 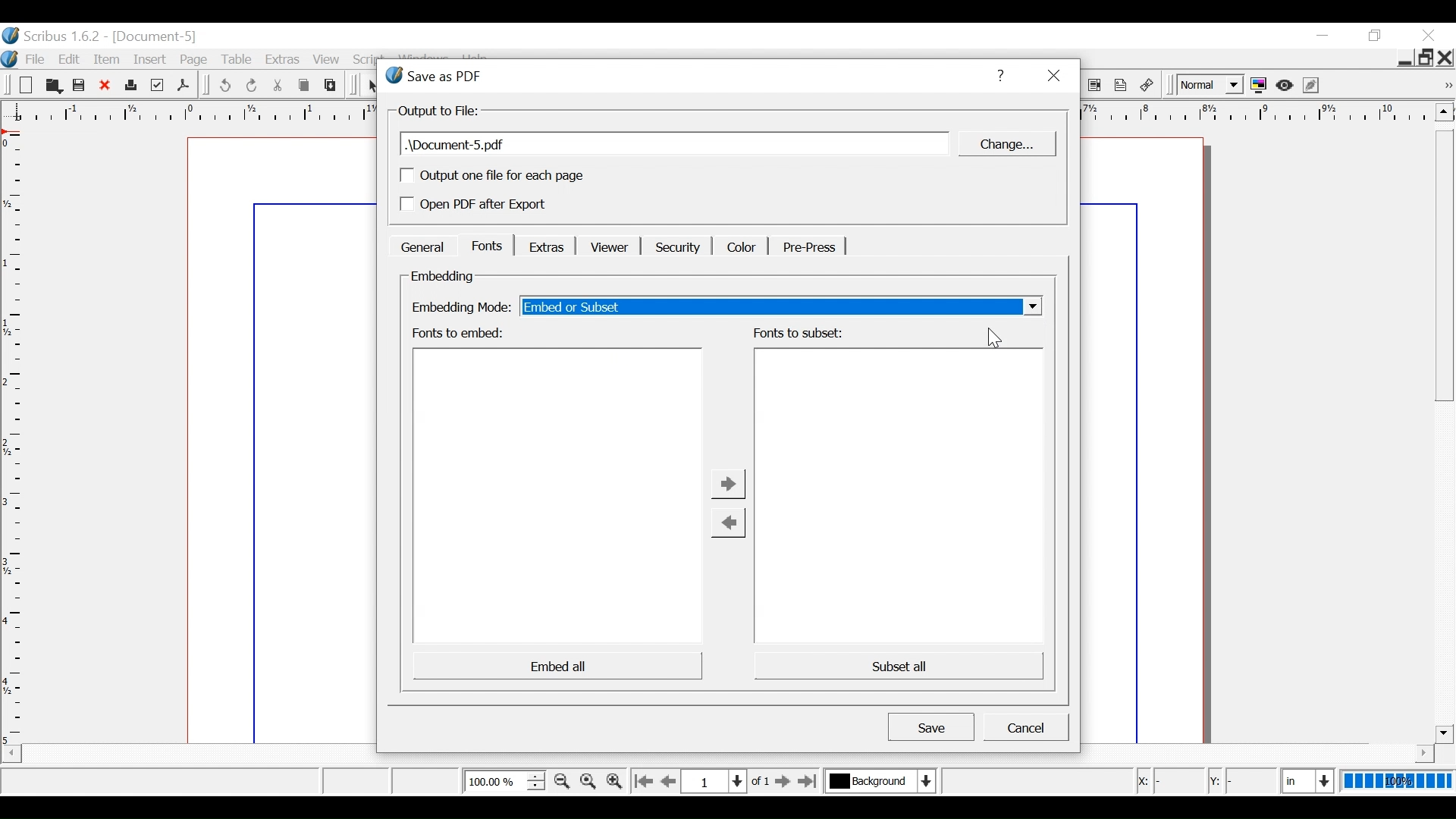 I want to click on Color, so click(x=739, y=246).